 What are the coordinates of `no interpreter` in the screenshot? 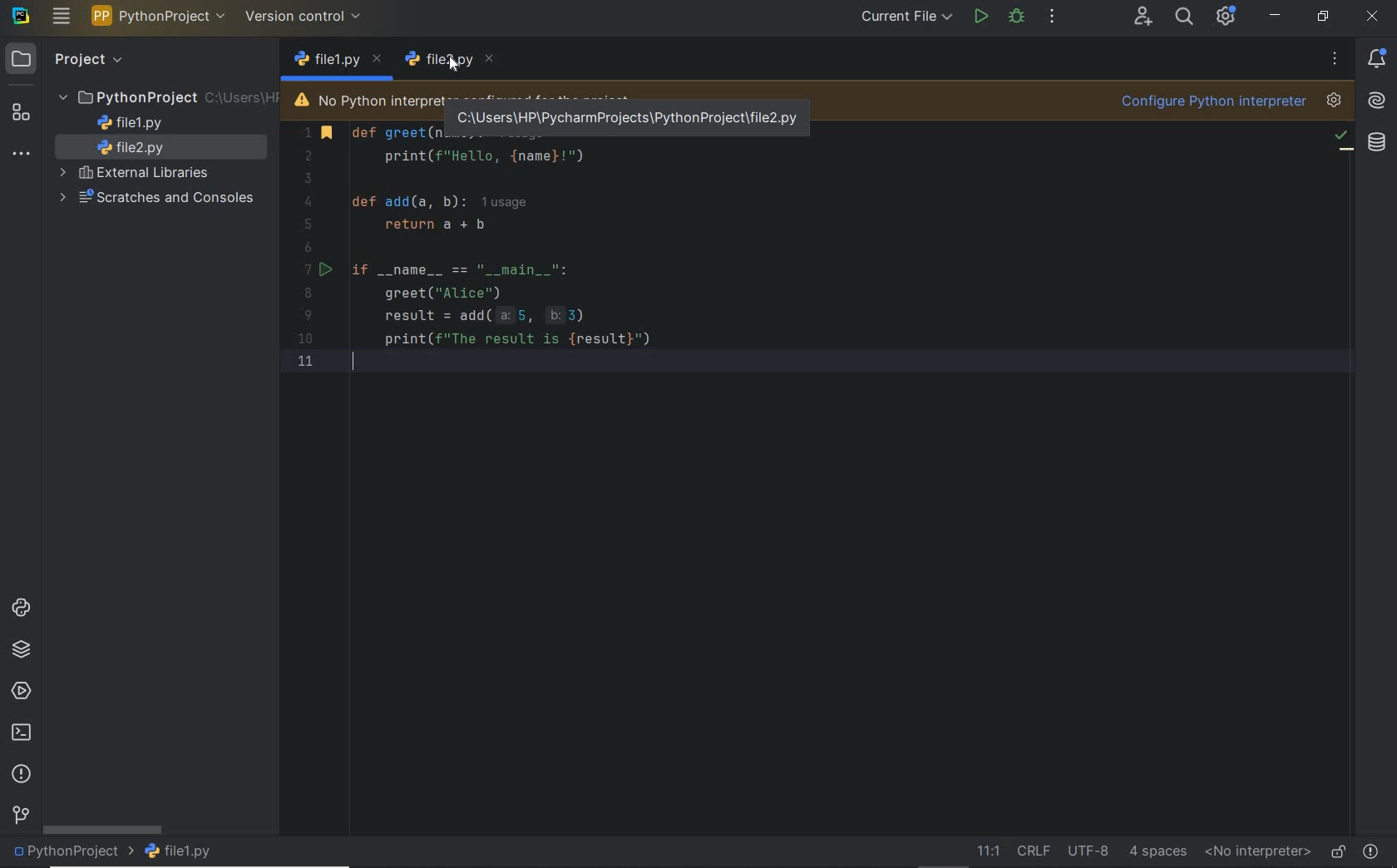 It's located at (1257, 852).